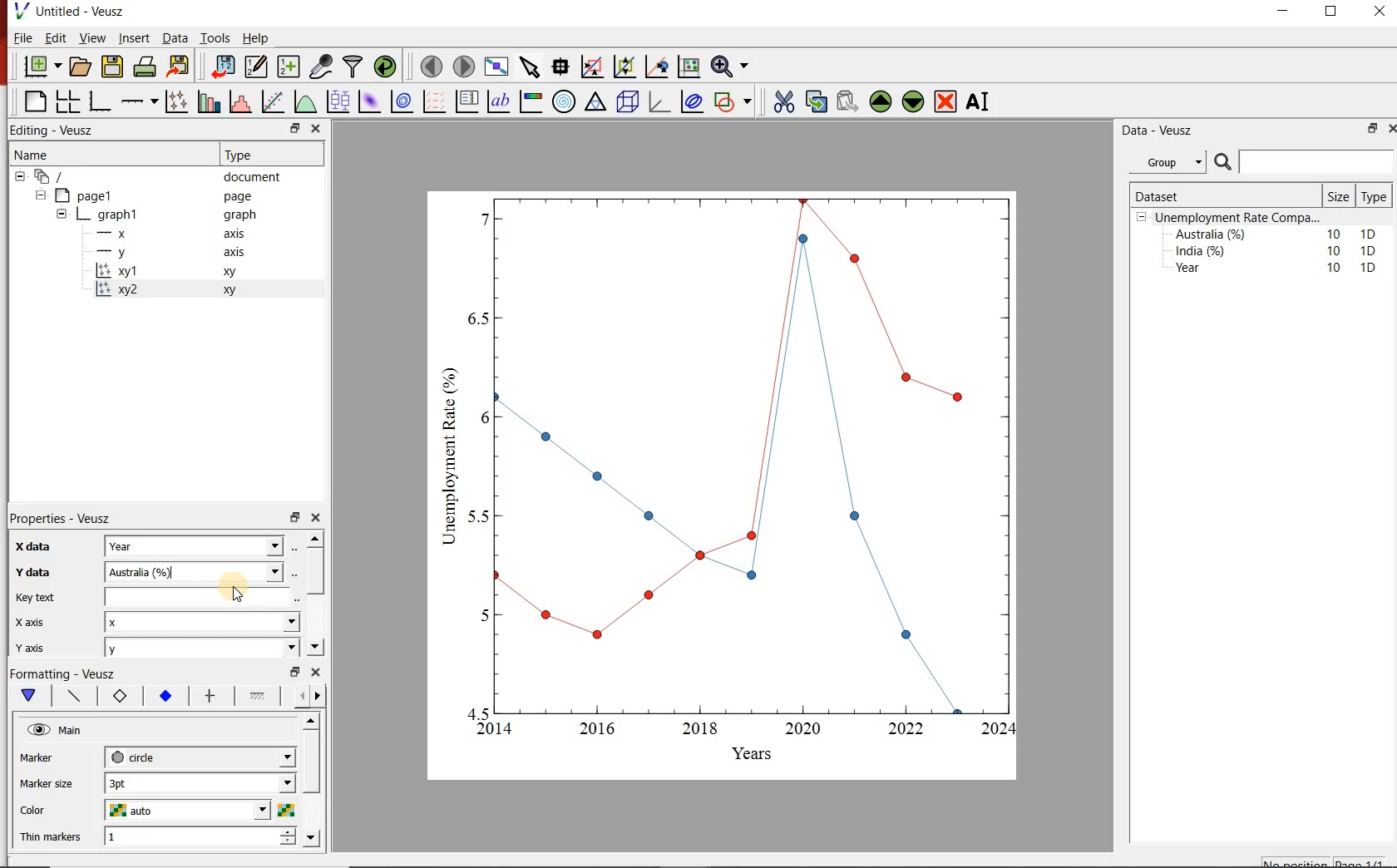 The image size is (1397, 868). Describe the element at coordinates (225, 65) in the screenshot. I see `import document` at that location.